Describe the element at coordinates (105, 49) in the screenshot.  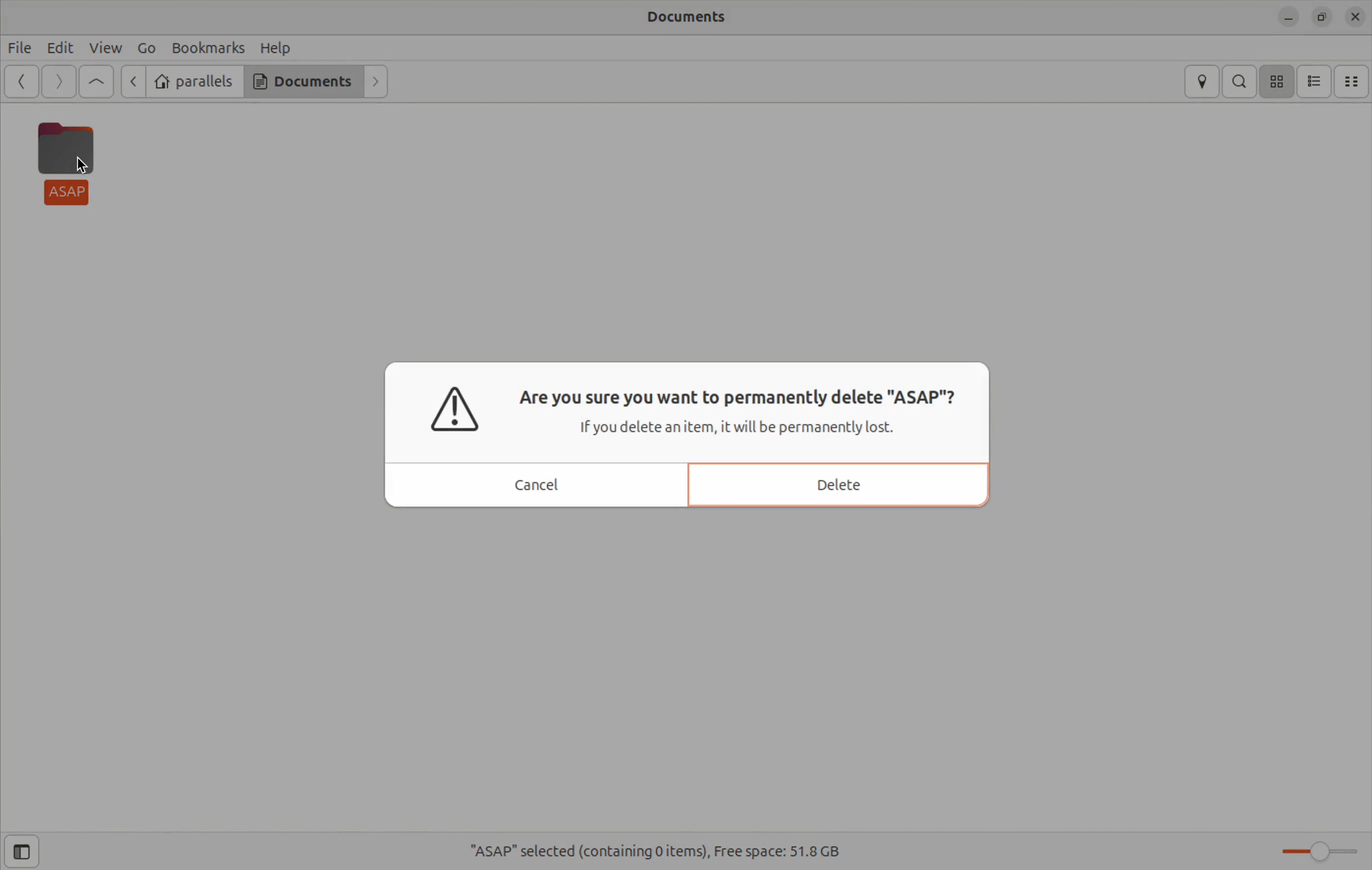
I see `View` at that location.